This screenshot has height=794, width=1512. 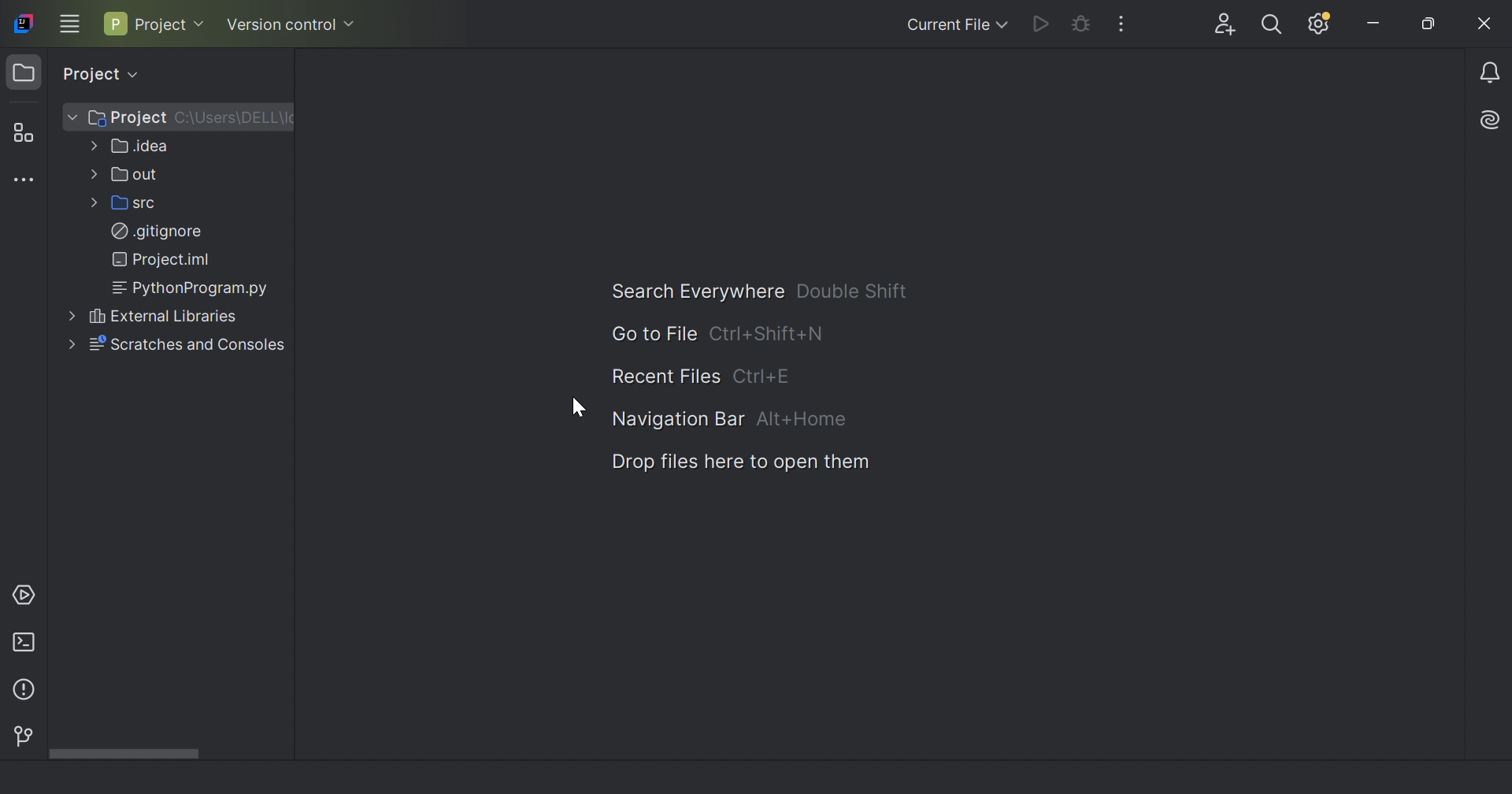 What do you see at coordinates (1039, 24) in the screenshot?
I see `Run` at bounding box center [1039, 24].